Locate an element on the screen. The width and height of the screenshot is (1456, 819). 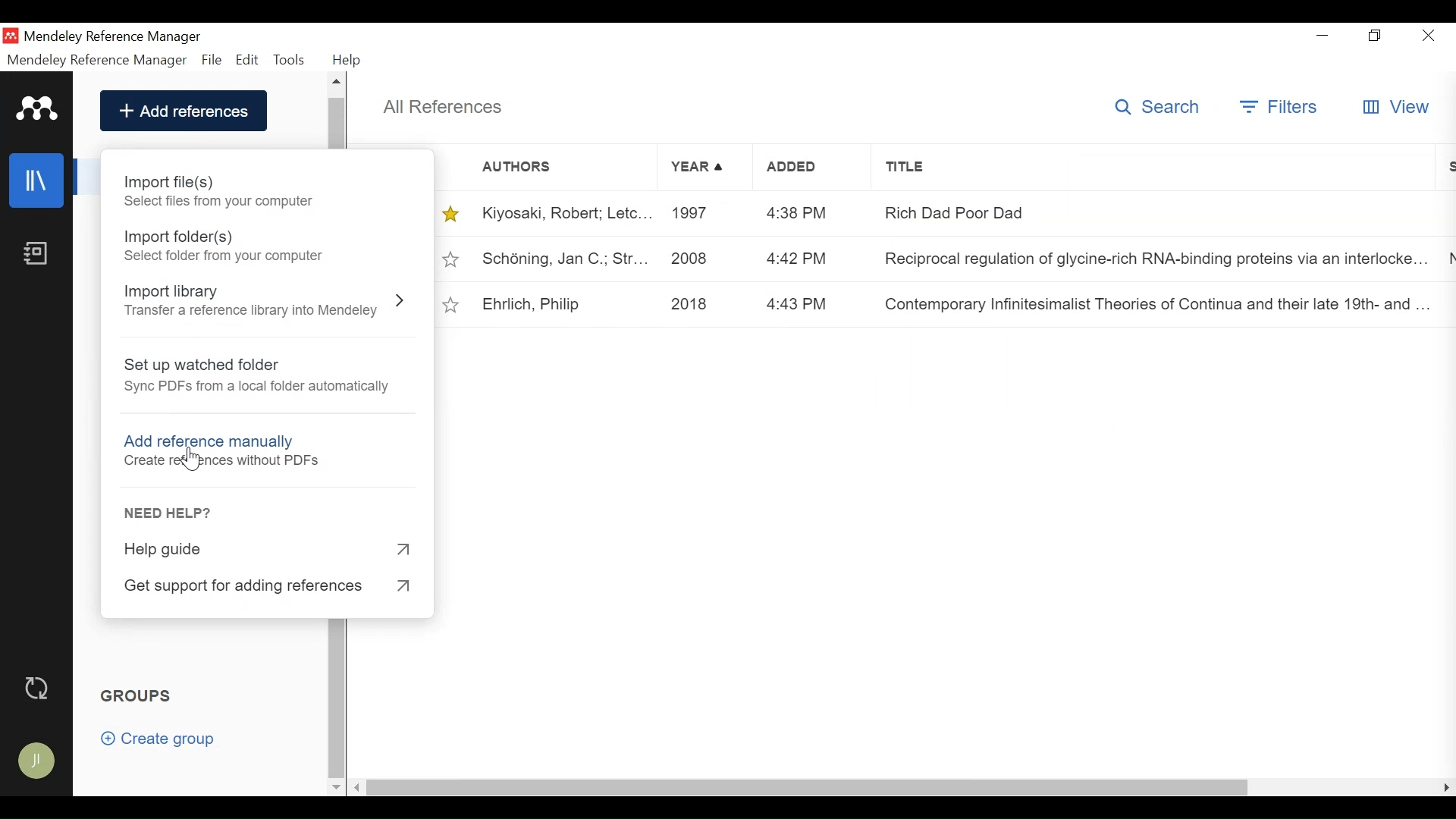
Sync PDF from local folder is located at coordinates (256, 386).